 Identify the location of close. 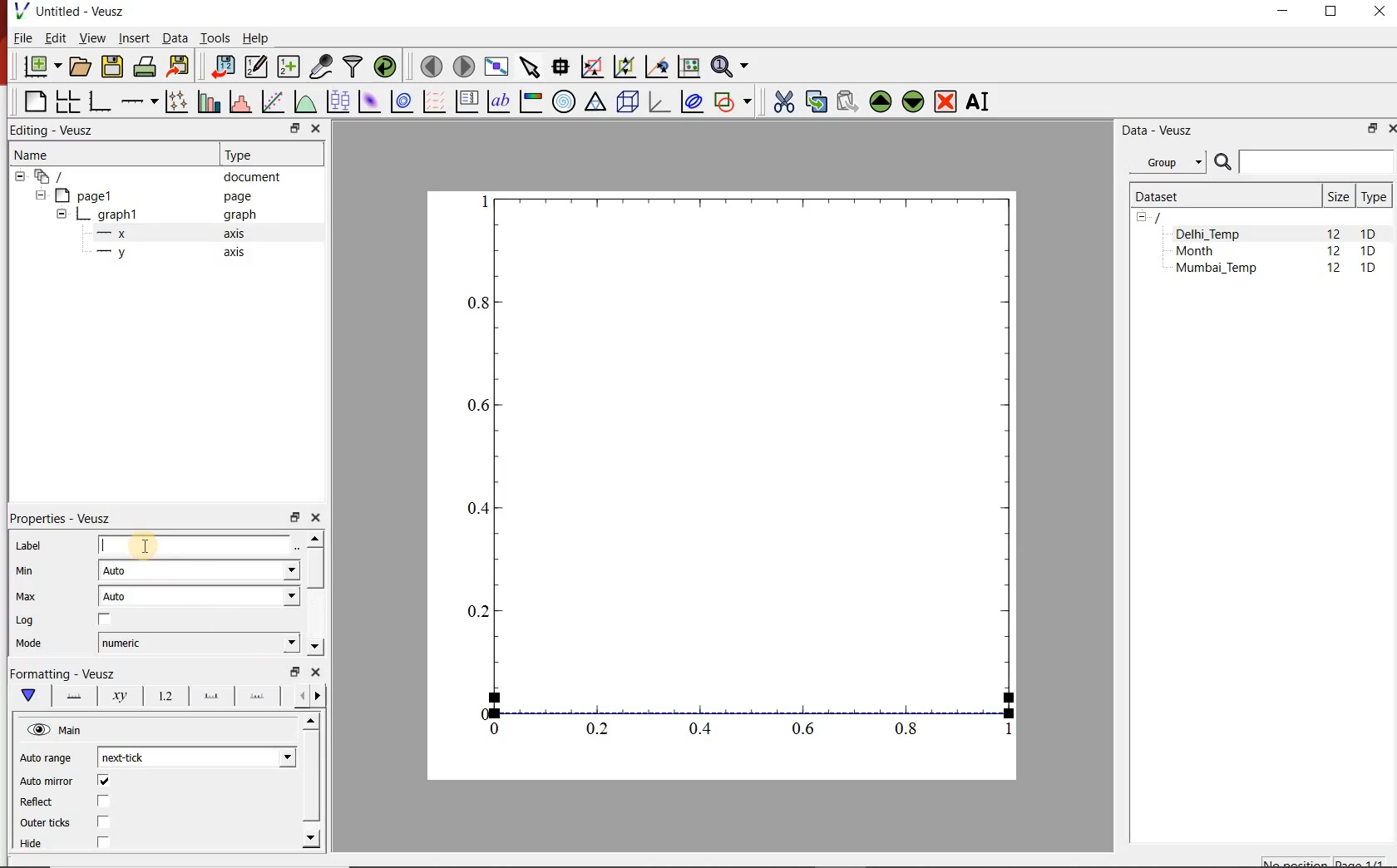
(314, 130).